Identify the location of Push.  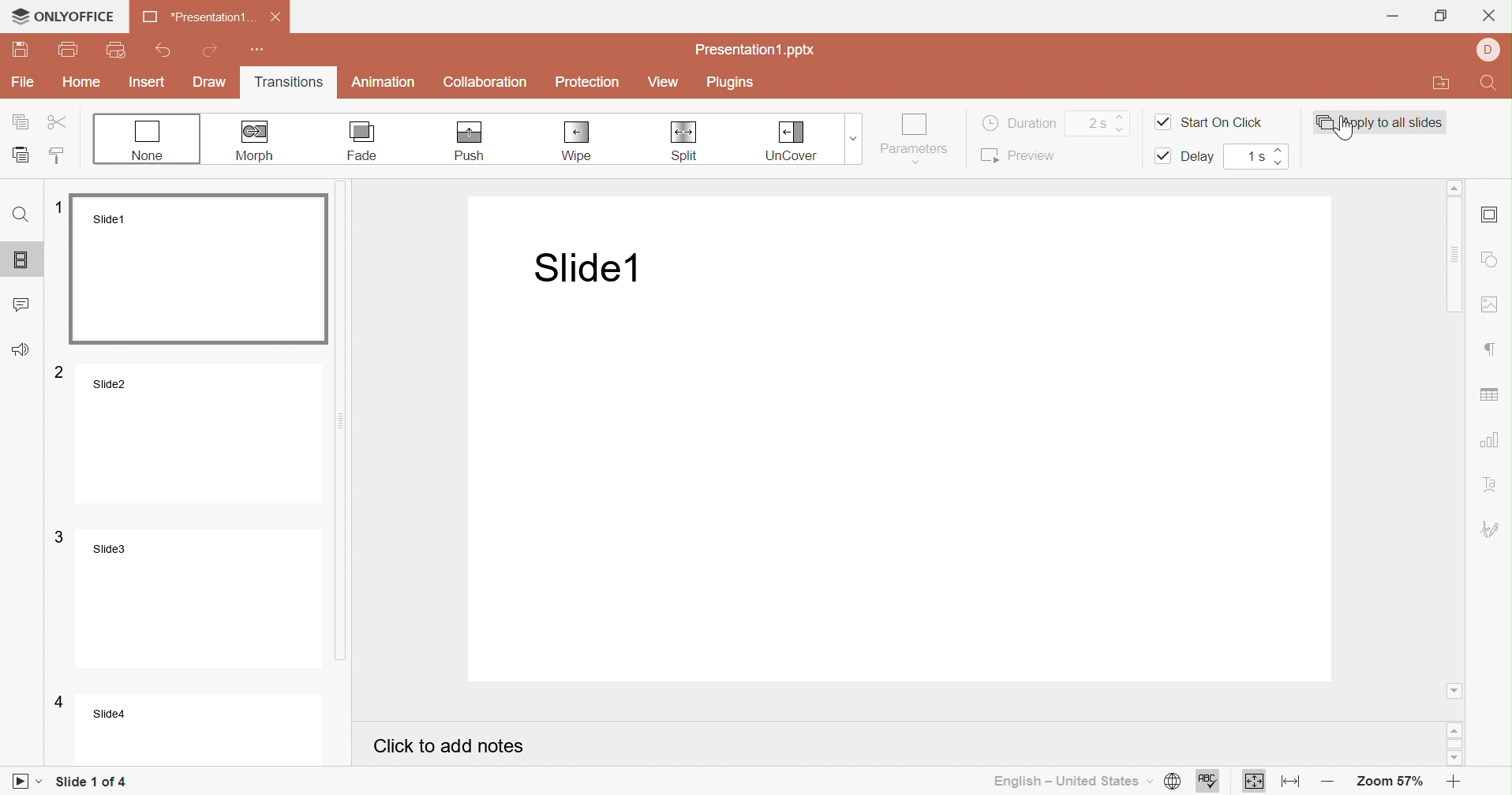
(466, 140).